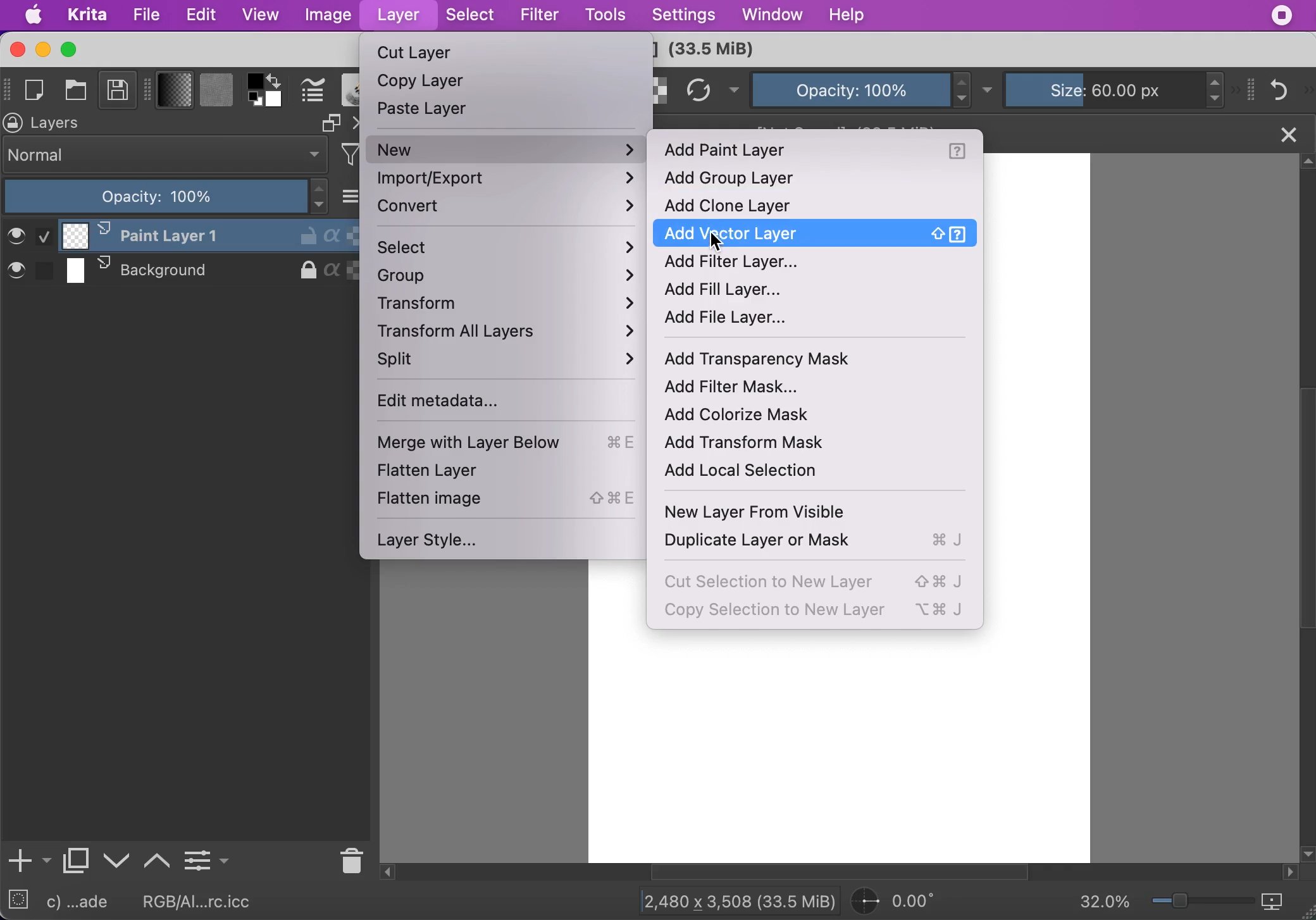 The image size is (1316, 920). I want to click on vertical slider, so click(1305, 451).